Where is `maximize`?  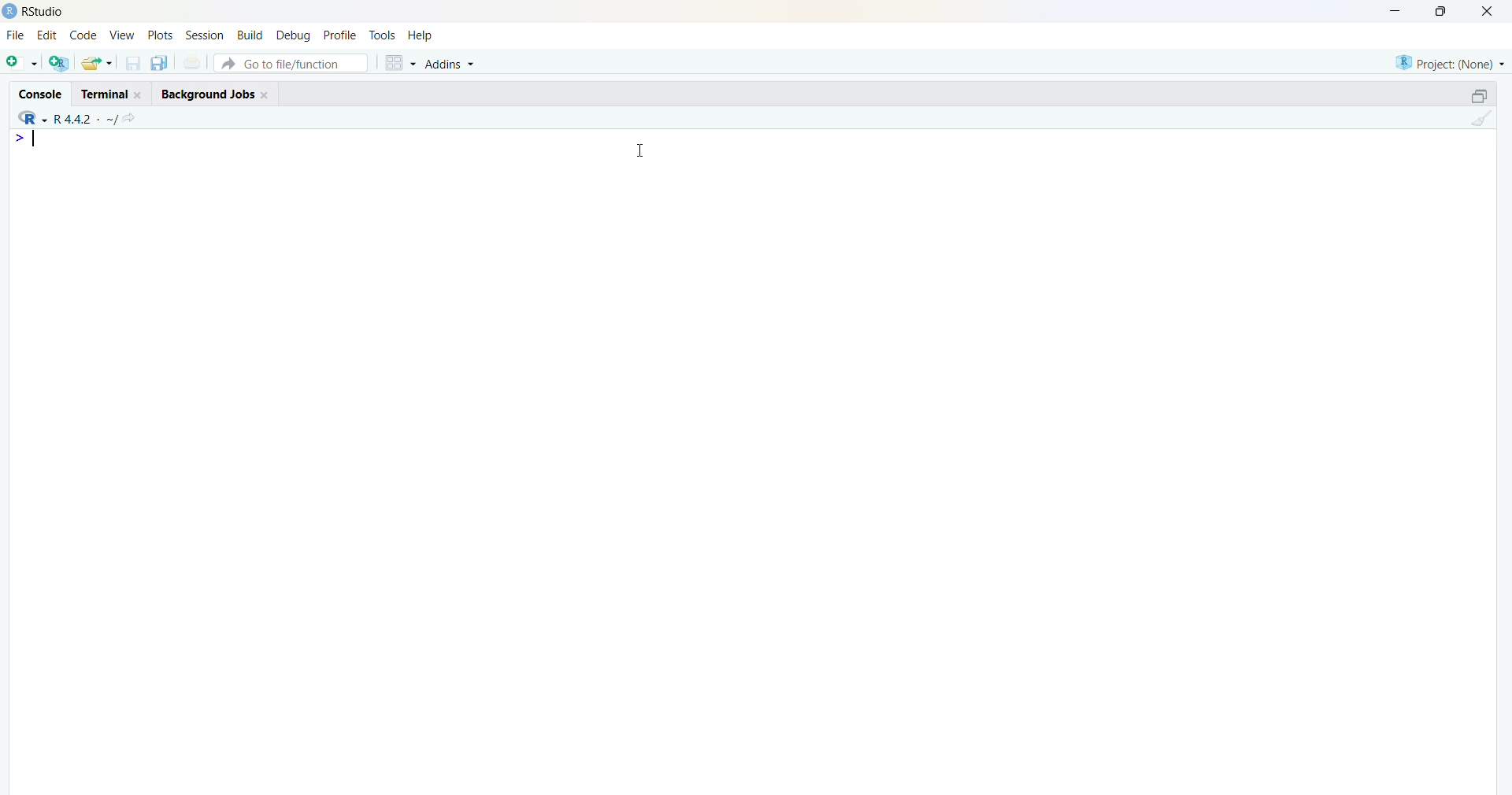 maximize is located at coordinates (1446, 11).